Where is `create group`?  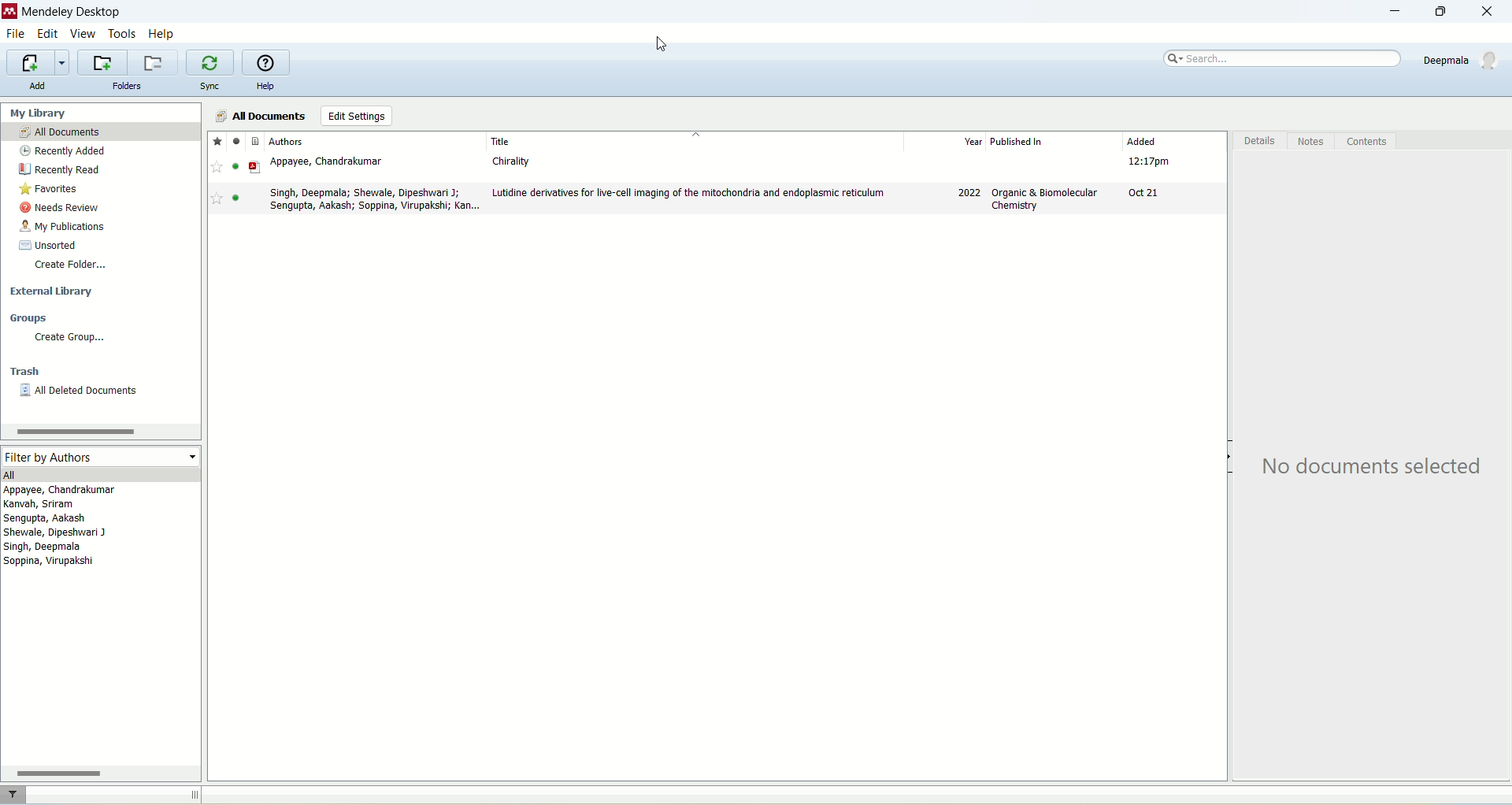
create group is located at coordinates (68, 340).